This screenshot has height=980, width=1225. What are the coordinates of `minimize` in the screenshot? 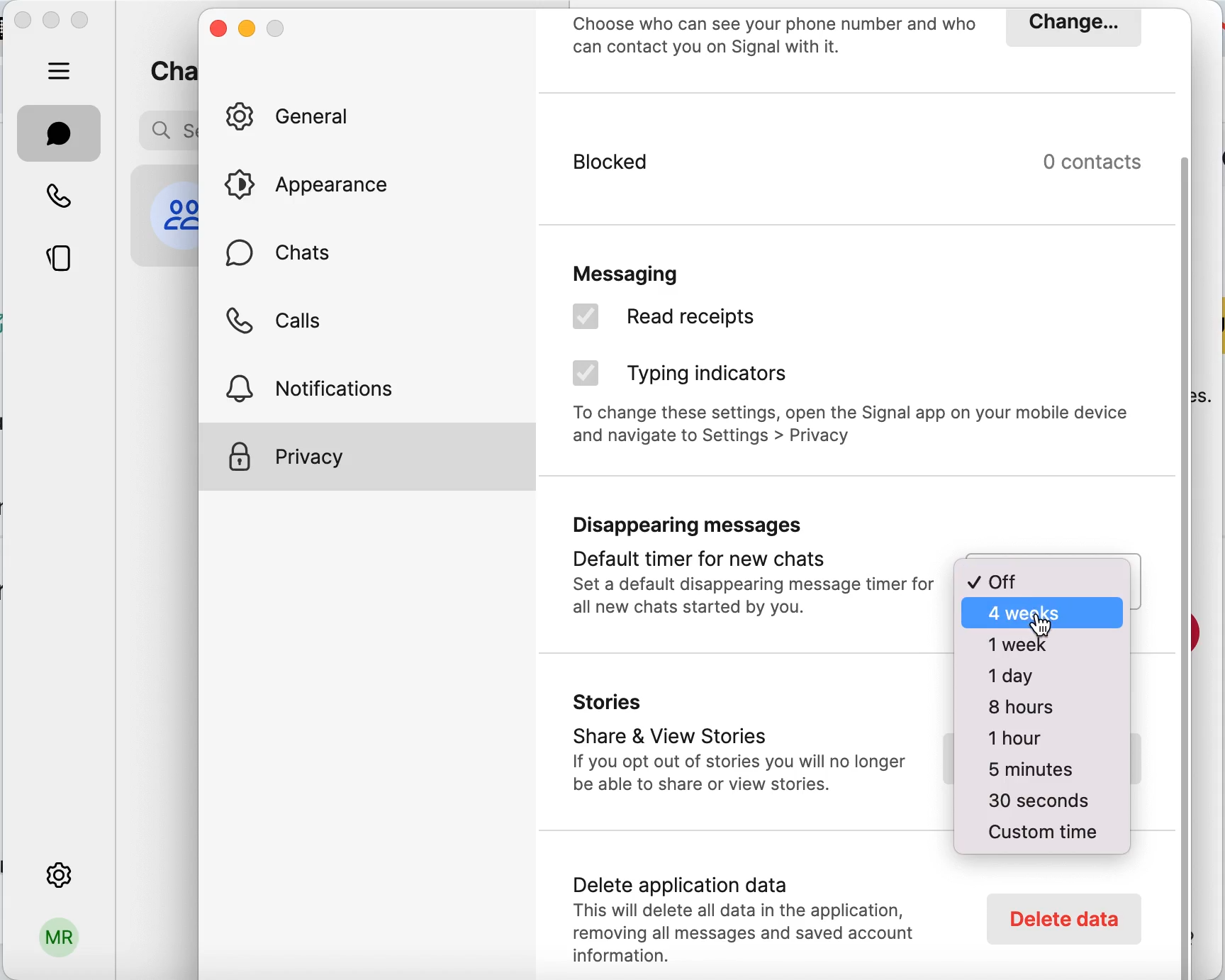 It's located at (52, 19).